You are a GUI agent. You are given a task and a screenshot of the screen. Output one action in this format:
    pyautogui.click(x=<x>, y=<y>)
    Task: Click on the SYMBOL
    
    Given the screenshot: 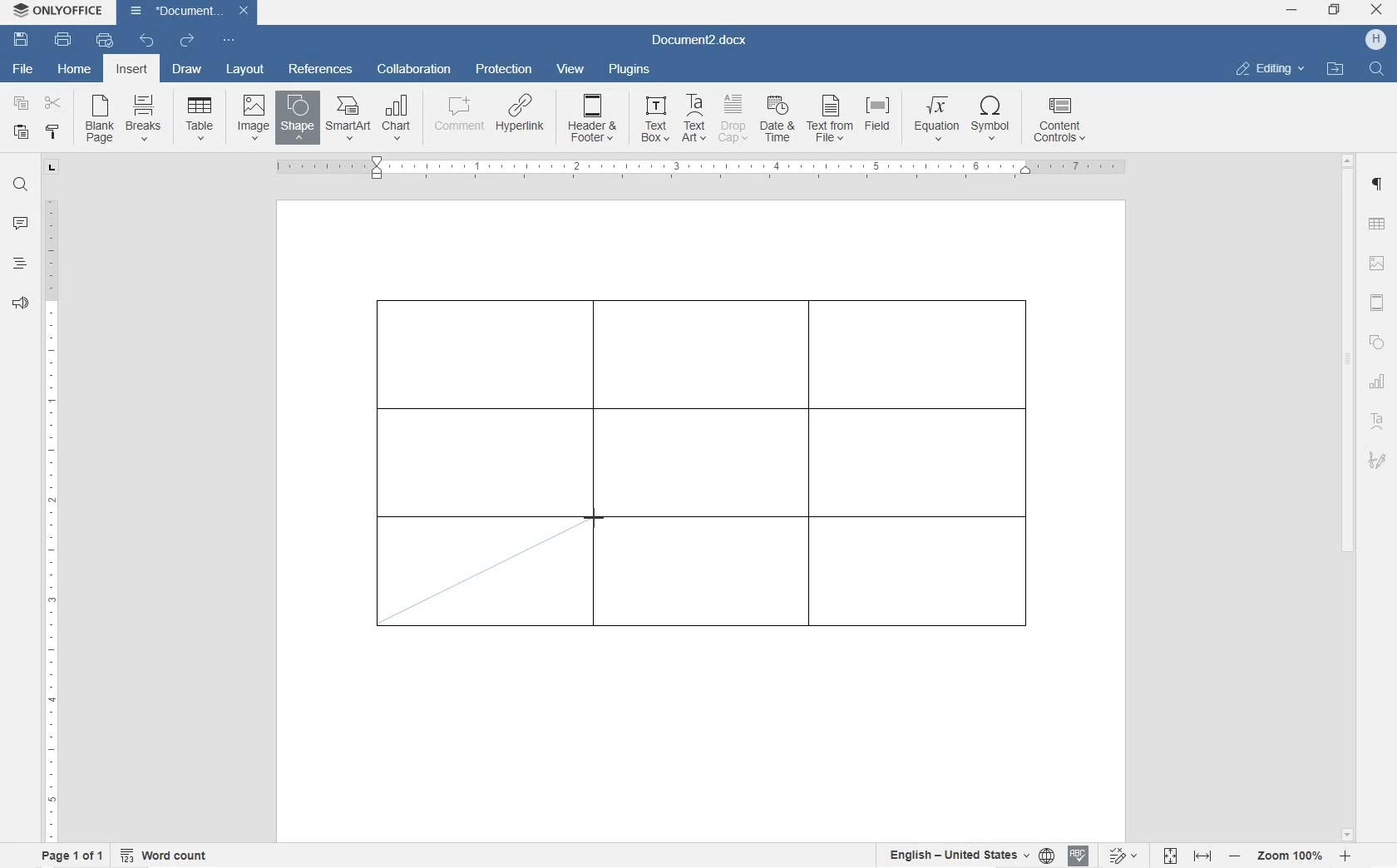 What is the action you would take?
    pyautogui.click(x=992, y=121)
    